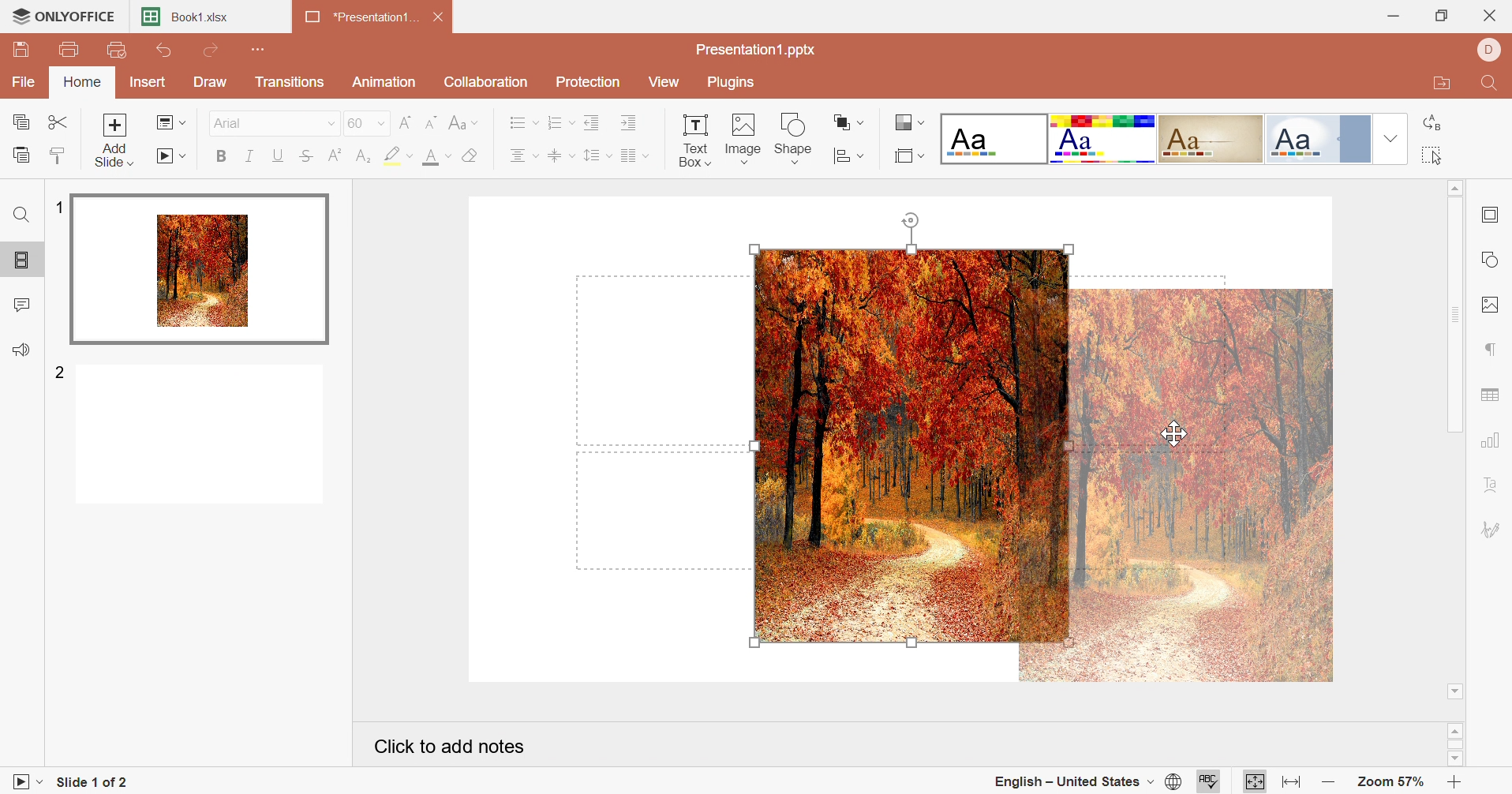  What do you see at coordinates (628, 125) in the screenshot?
I see `Increase Indent` at bounding box center [628, 125].